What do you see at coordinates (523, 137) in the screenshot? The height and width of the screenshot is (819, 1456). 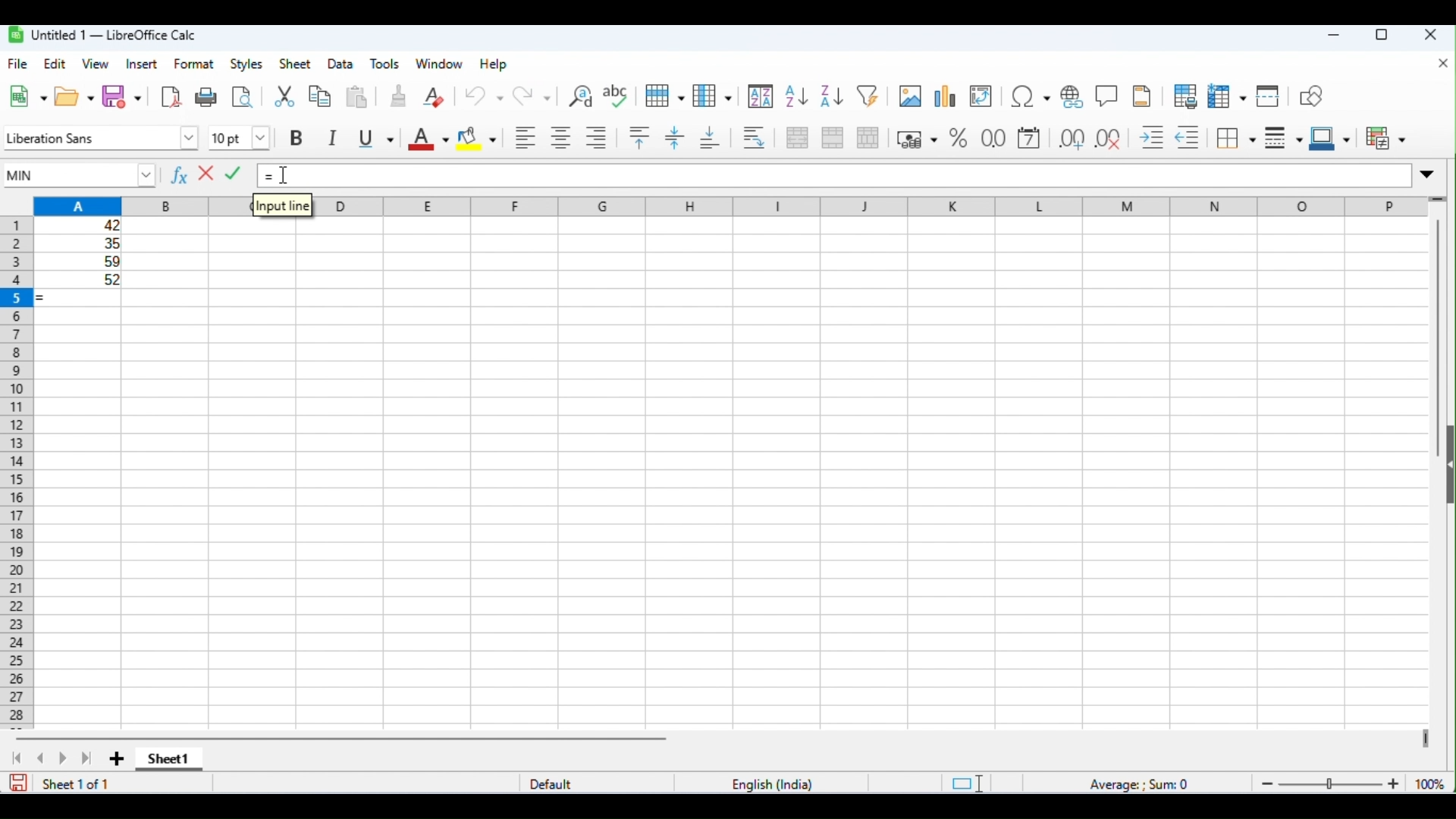 I see `align left` at bounding box center [523, 137].